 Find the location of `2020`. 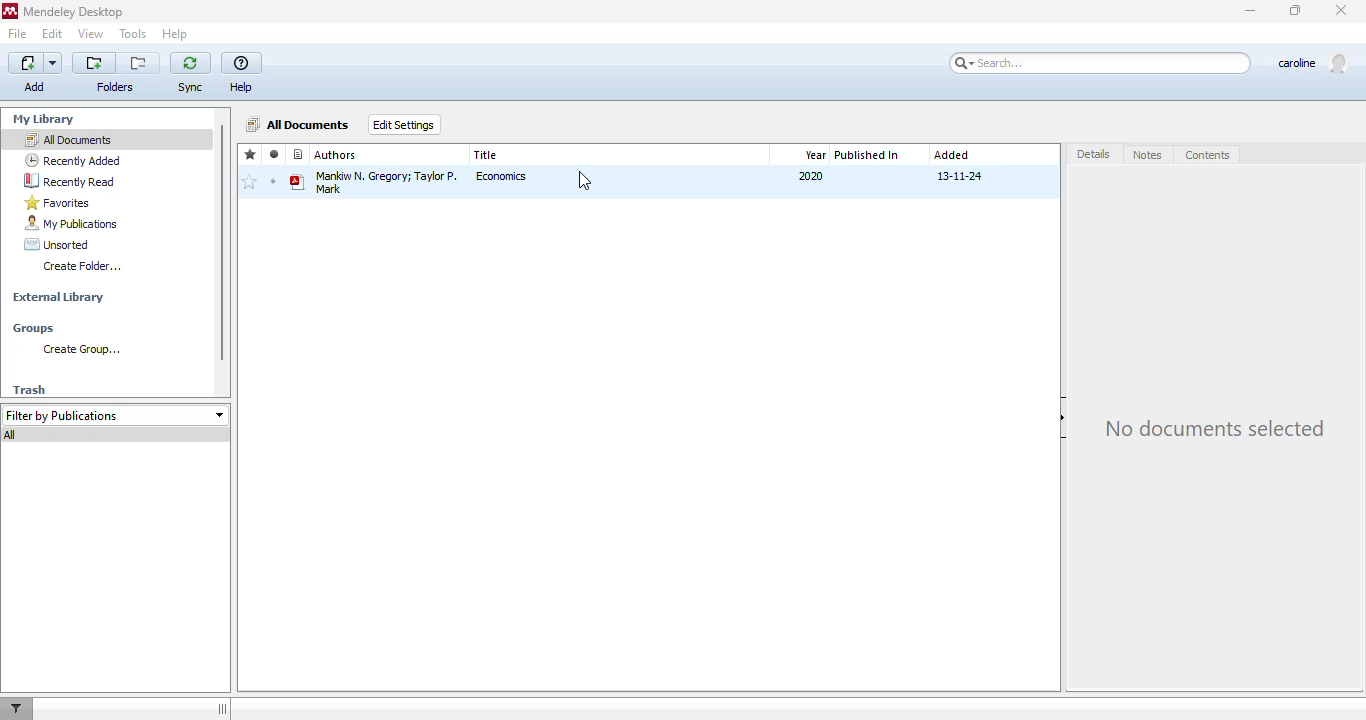

2020 is located at coordinates (811, 176).